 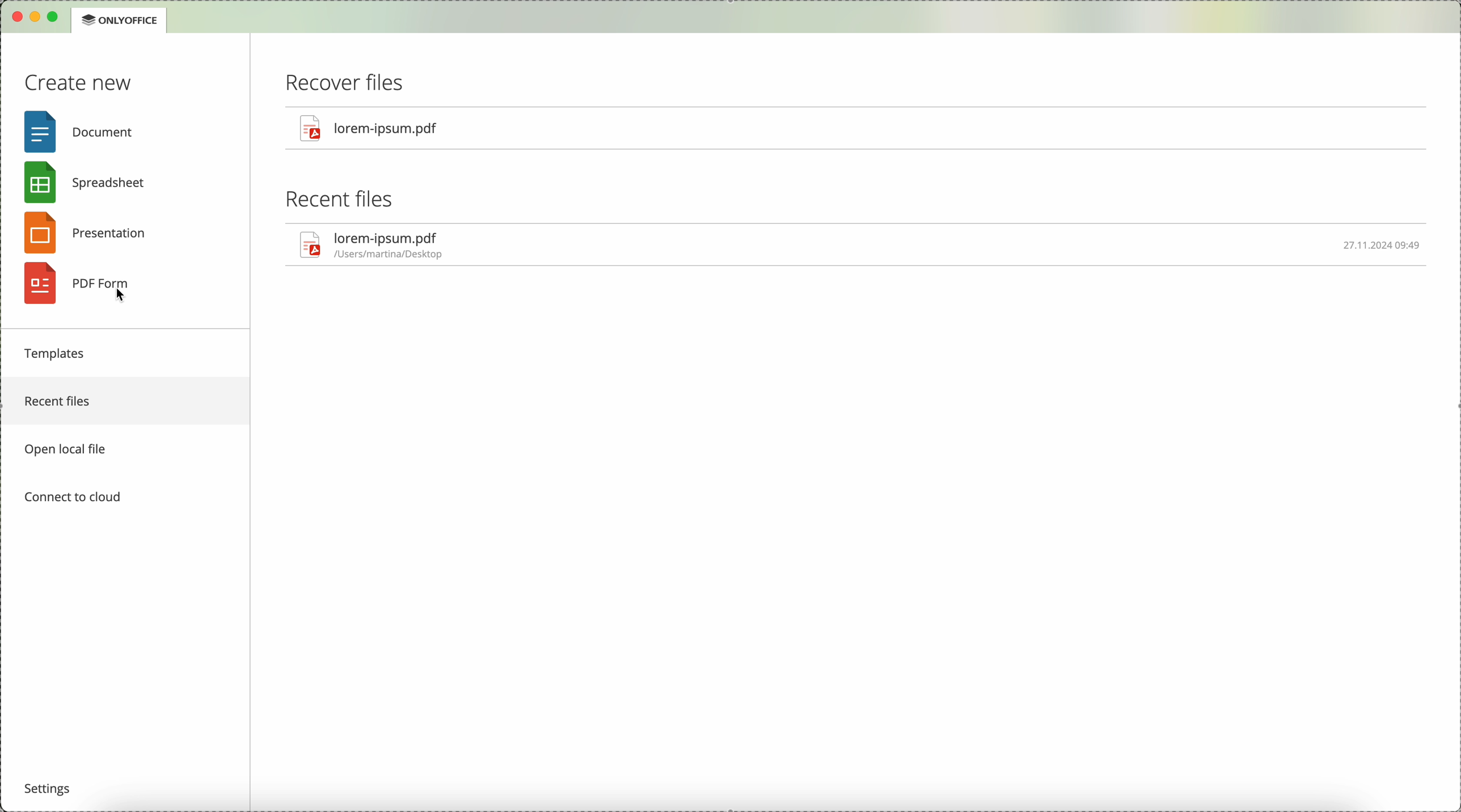 What do you see at coordinates (57, 354) in the screenshot?
I see `templates` at bounding box center [57, 354].